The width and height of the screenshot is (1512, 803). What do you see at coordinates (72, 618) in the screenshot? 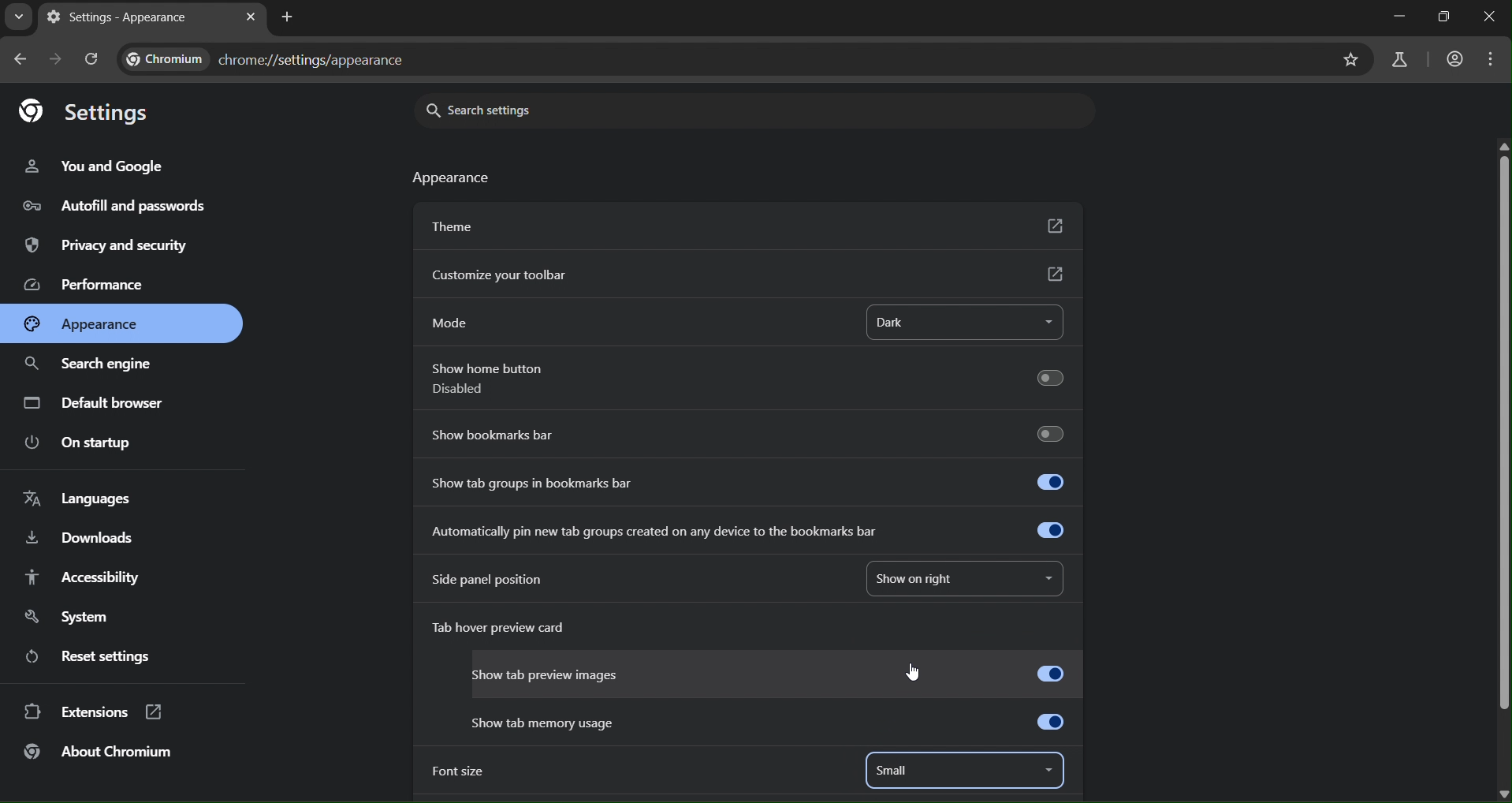
I see `system` at bounding box center [72, 618].